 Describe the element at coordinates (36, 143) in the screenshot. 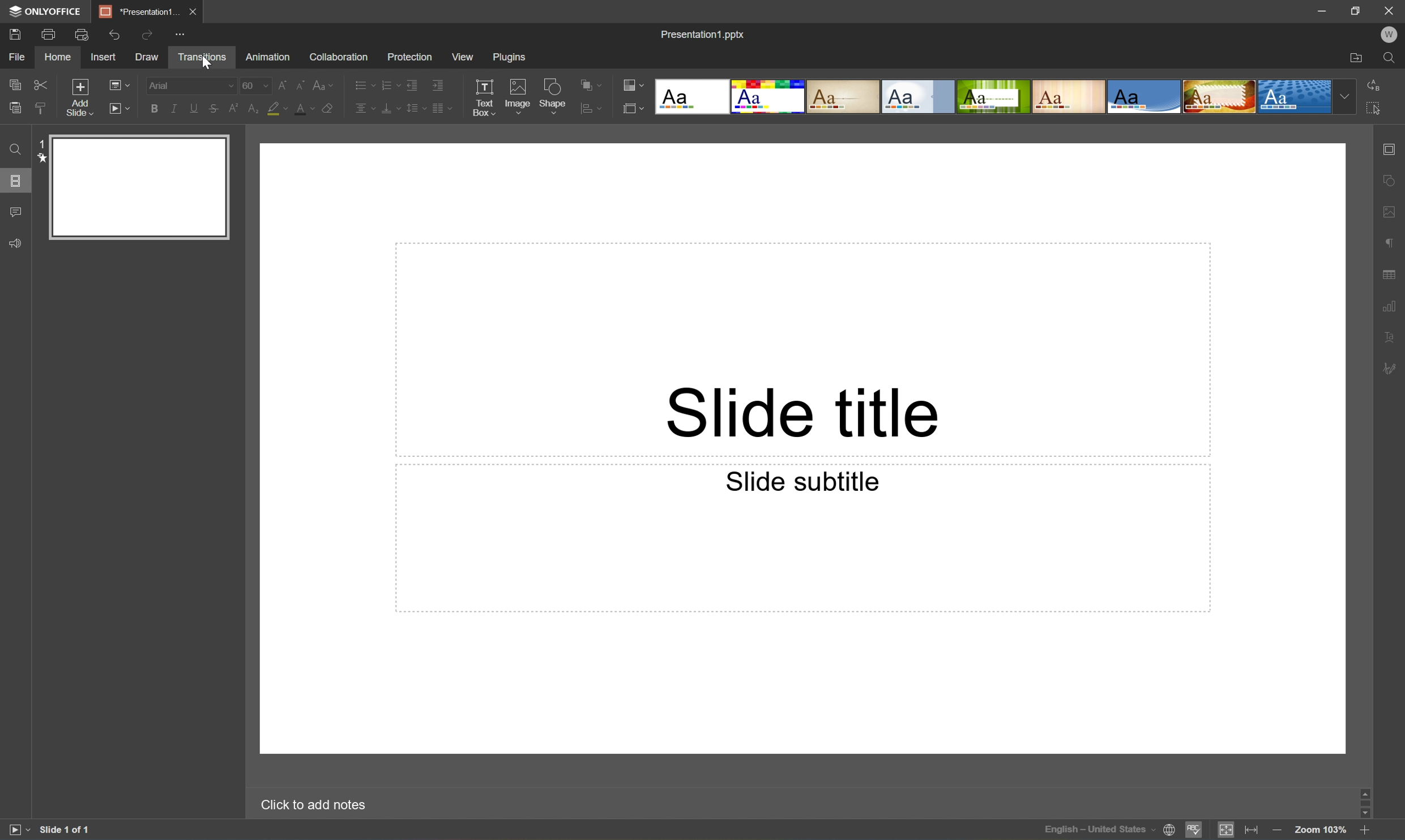

I see `1` at that location.